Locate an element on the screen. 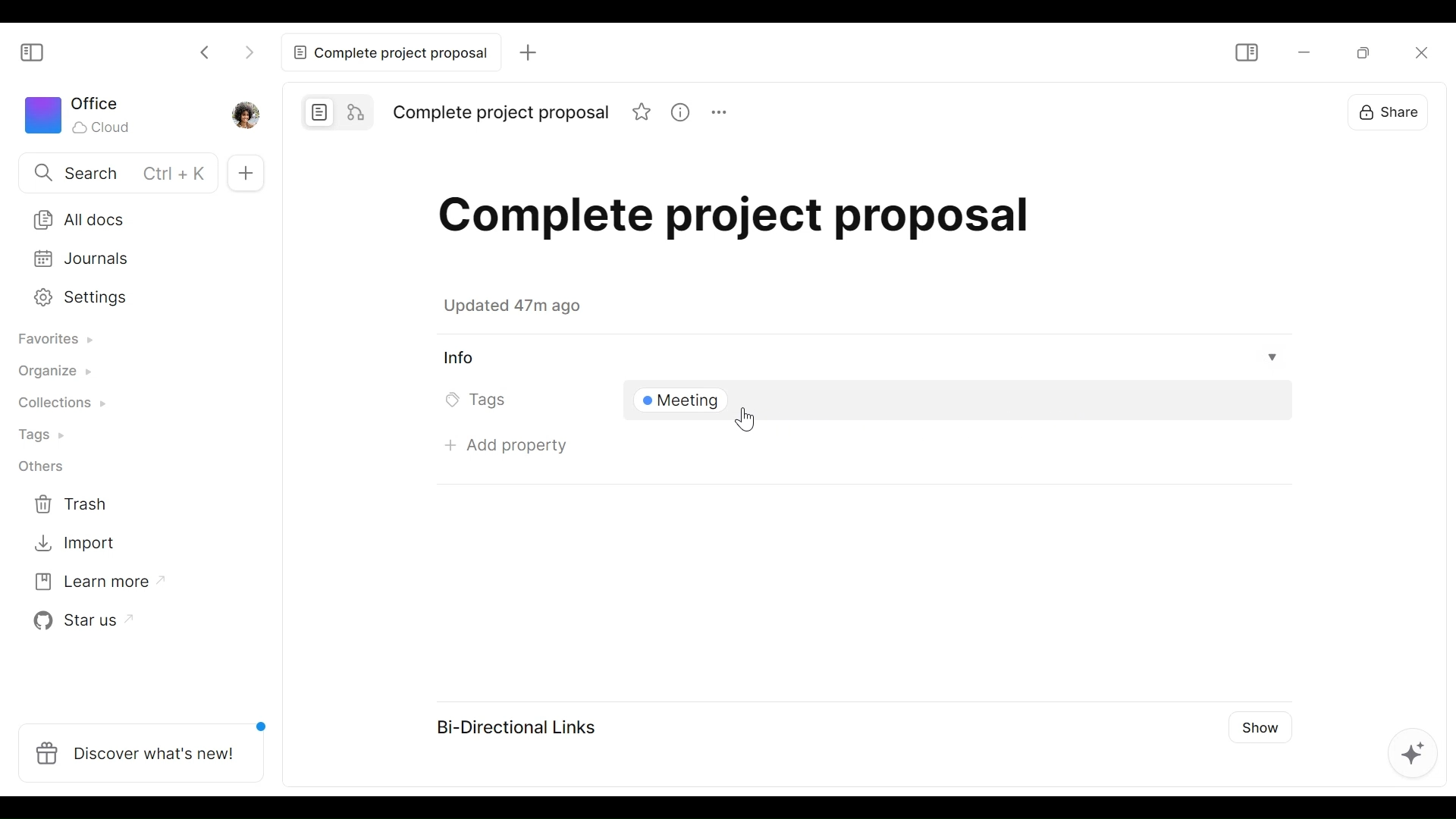  Tags is located at coordinates (479, 402).